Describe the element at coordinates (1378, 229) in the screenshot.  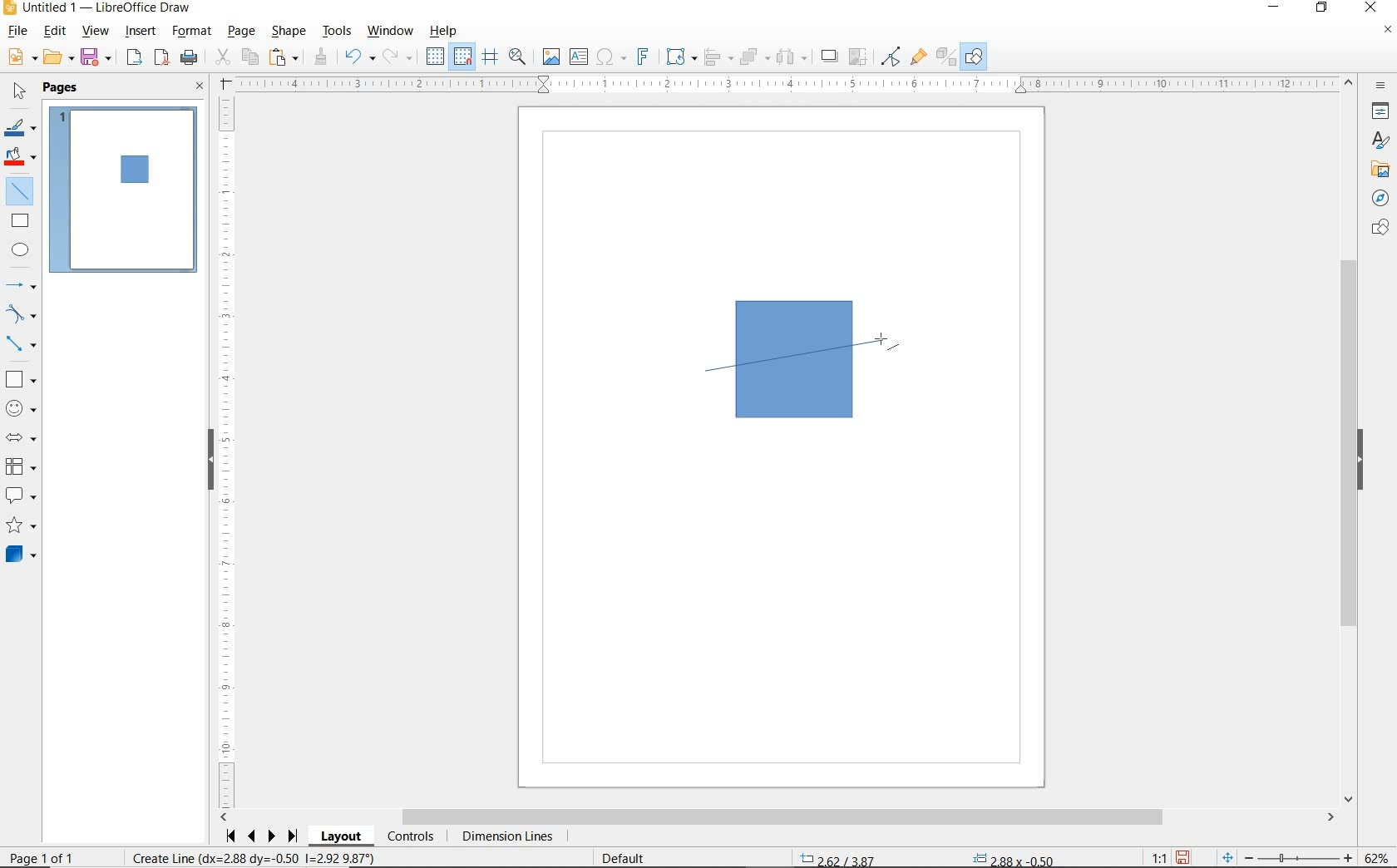
I see `SHAPES` at that location.